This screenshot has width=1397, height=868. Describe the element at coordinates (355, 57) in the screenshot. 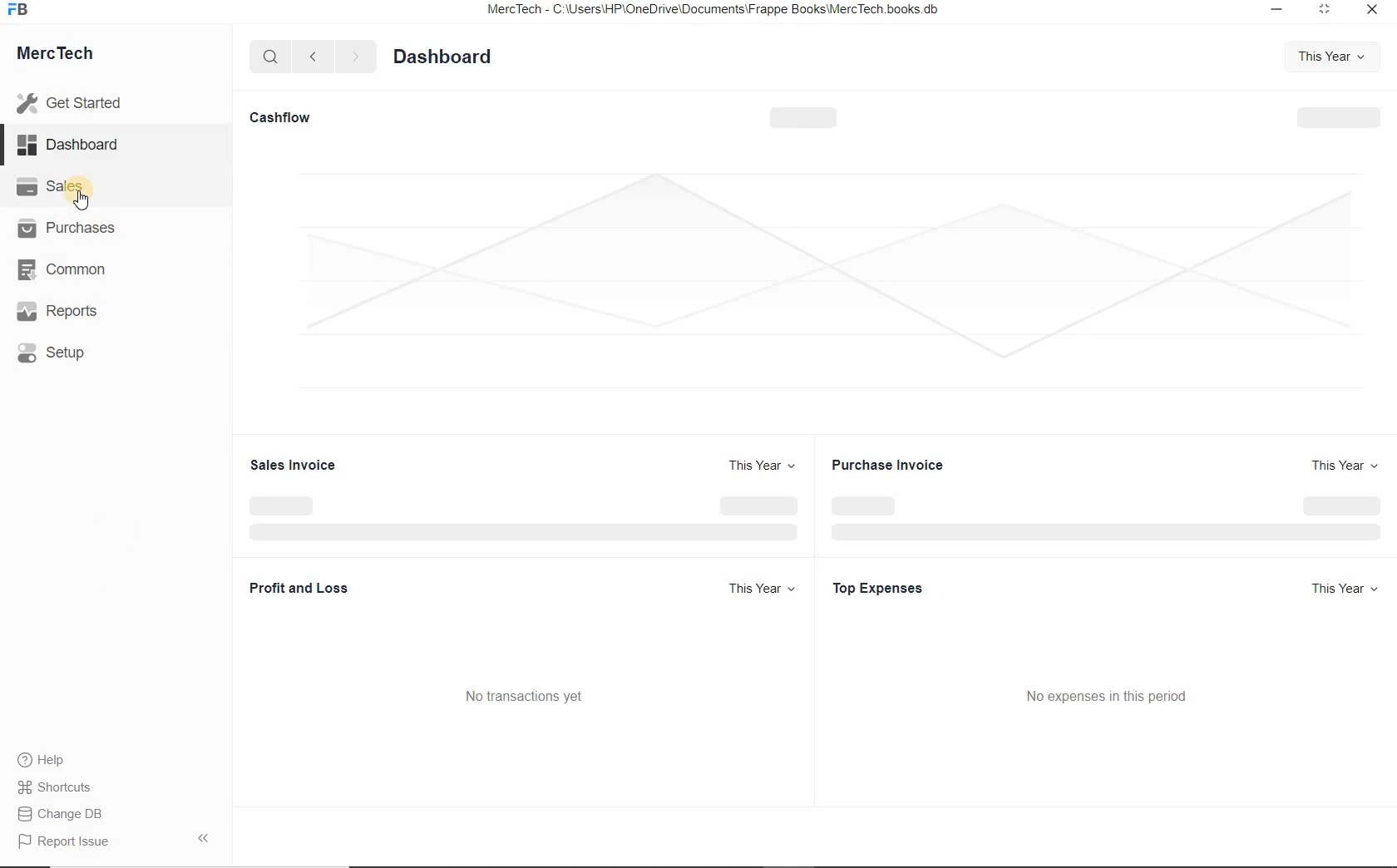

I see `Go forward` at that location.